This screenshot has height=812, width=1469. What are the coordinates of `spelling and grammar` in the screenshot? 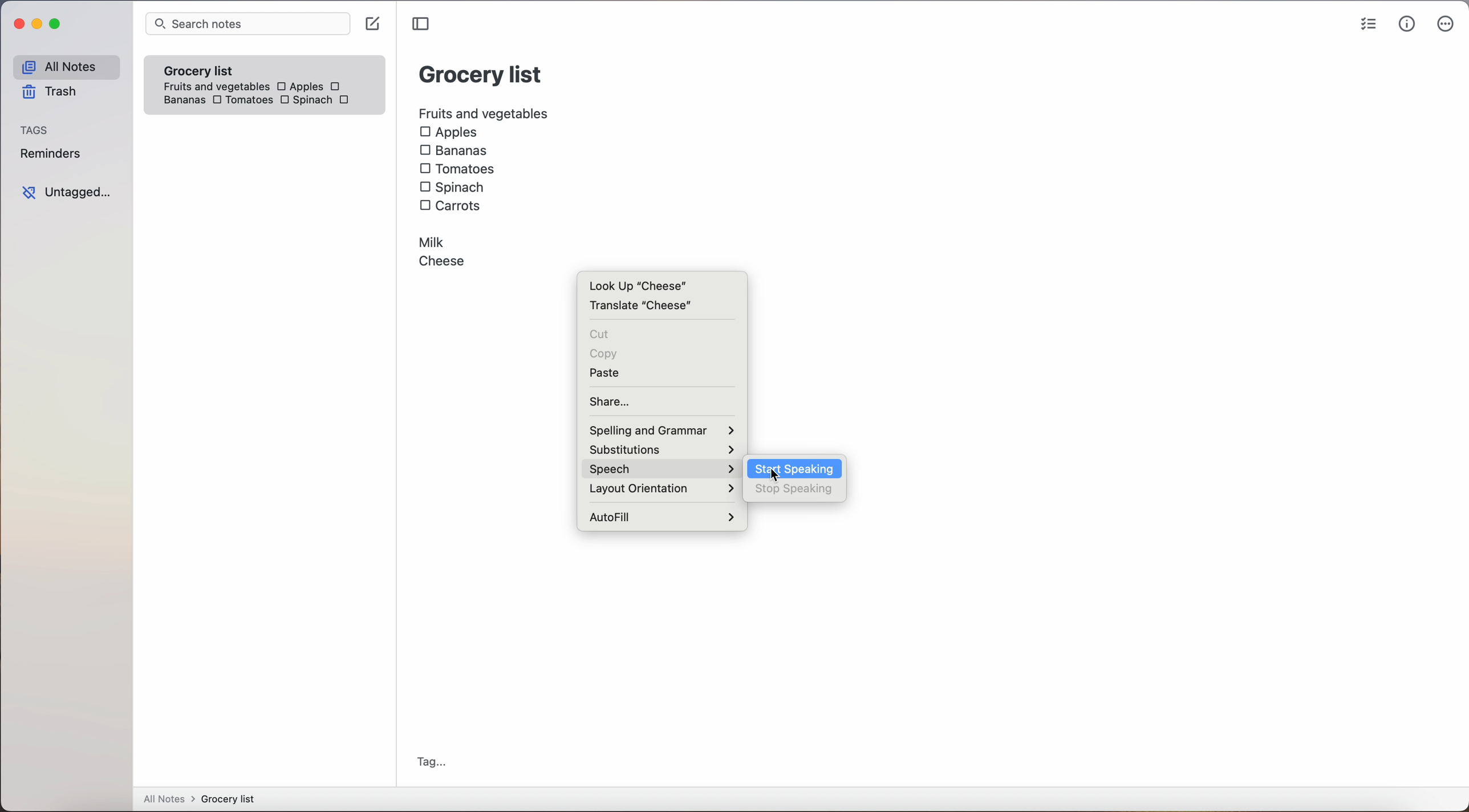 It's located at (660, 431).